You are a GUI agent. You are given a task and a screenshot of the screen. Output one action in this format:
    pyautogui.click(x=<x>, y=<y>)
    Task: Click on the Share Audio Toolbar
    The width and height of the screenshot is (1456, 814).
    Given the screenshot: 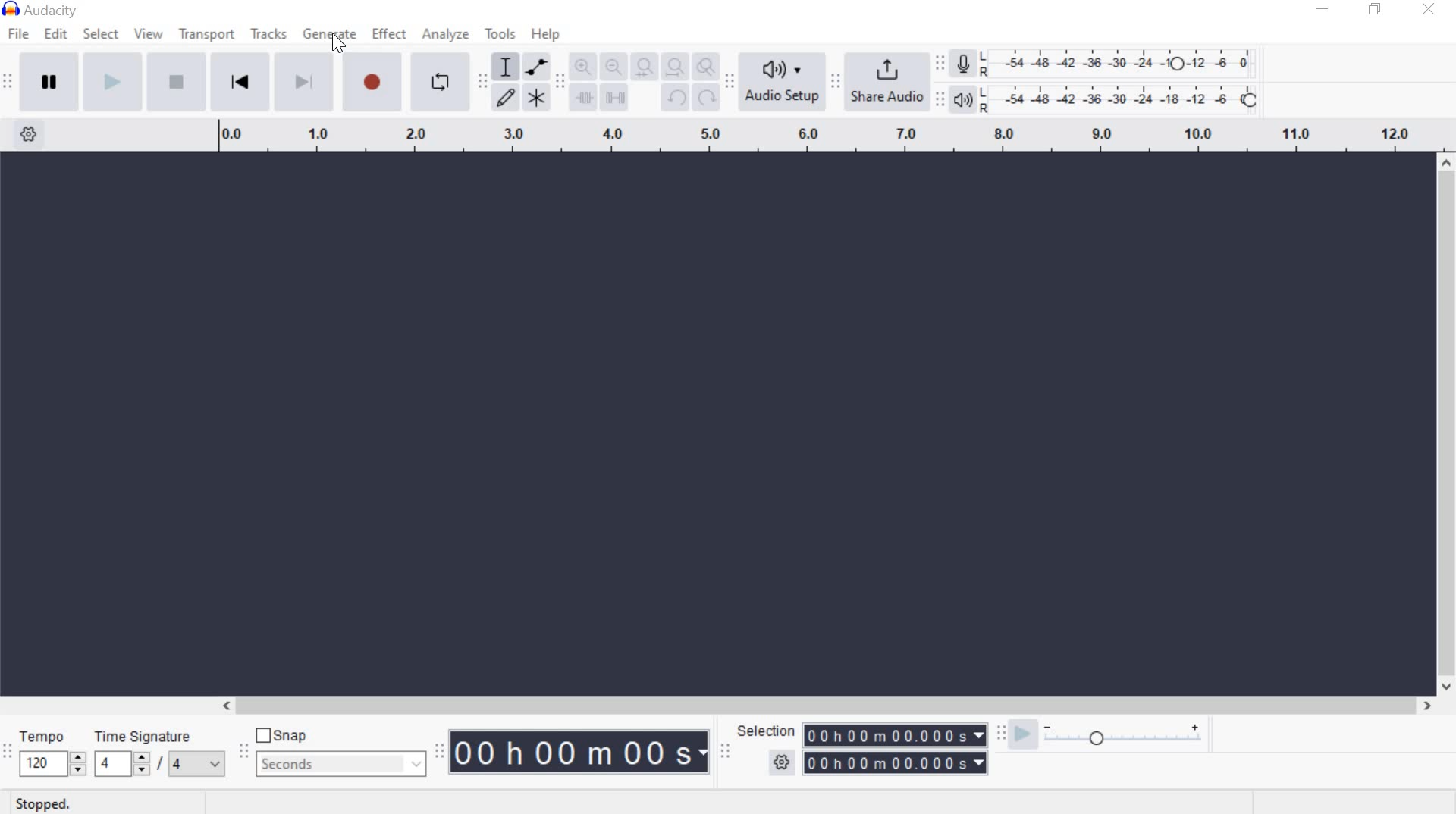 What is the action you would take?
    pyautogui.click(x=833, y=81)
    